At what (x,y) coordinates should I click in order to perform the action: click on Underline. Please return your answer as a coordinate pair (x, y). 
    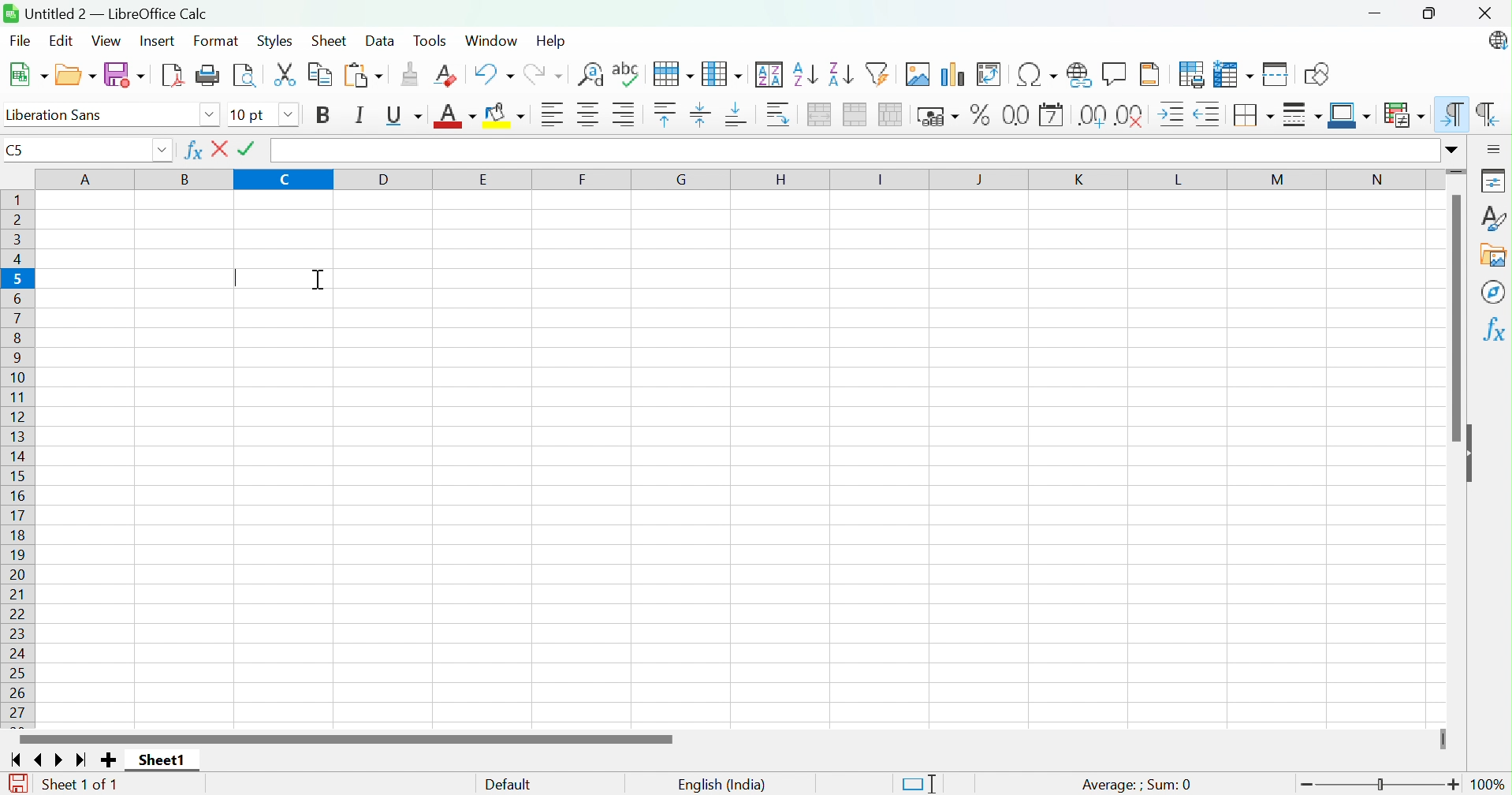
    Looking at the image, I should click on (407, 117).